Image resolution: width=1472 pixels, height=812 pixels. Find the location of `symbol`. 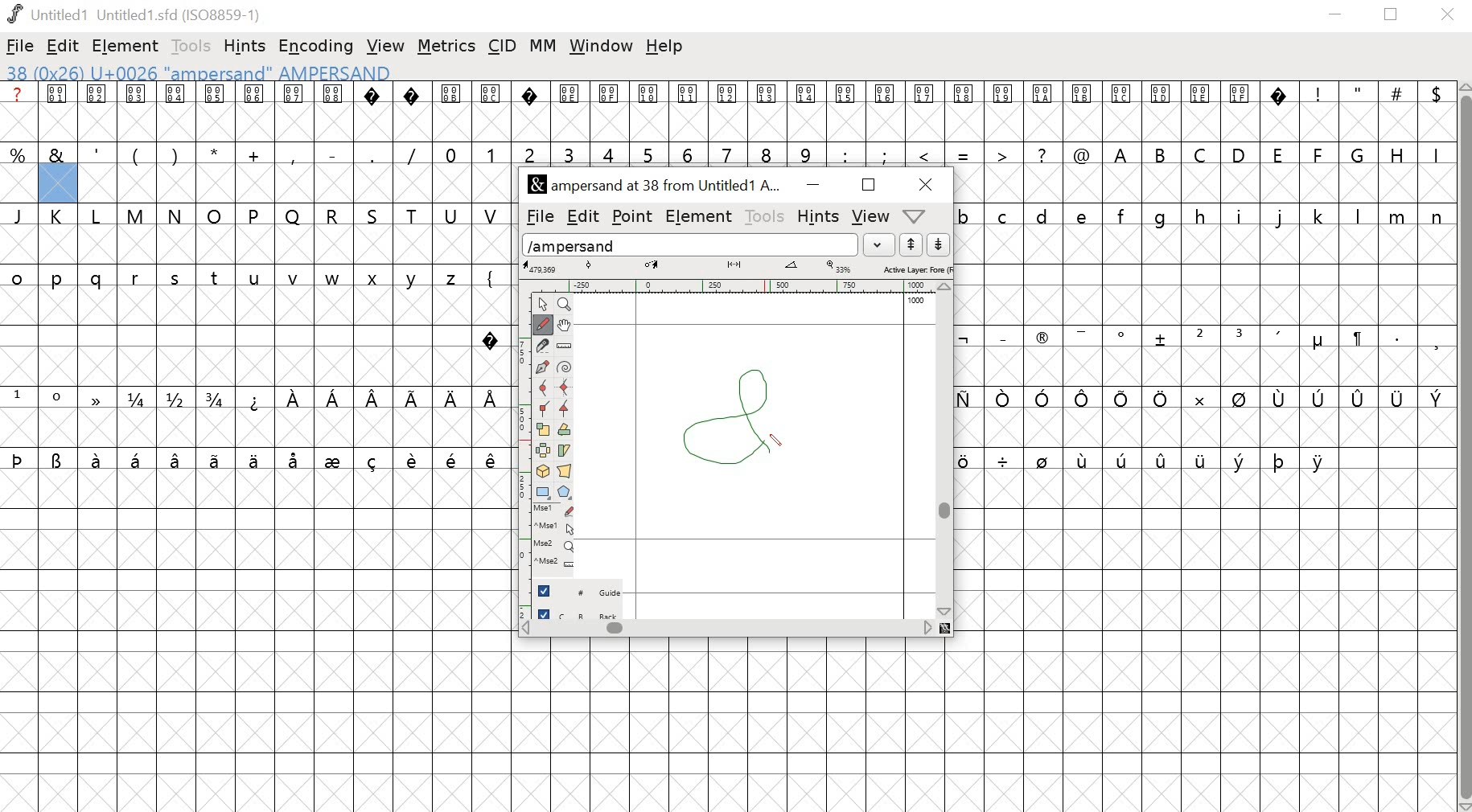

symbol is located at coordinates (99, 459).